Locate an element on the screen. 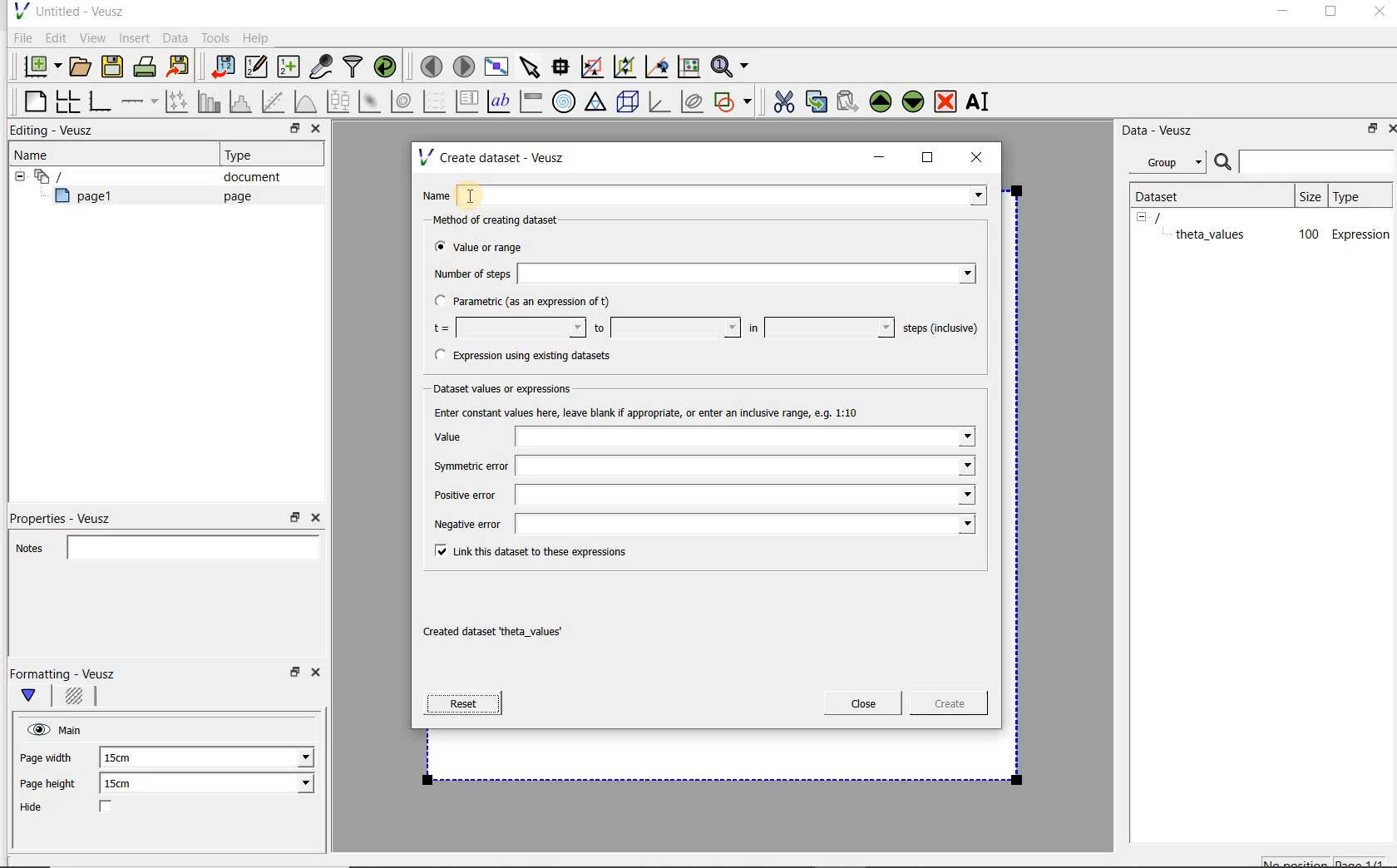 This screenshot has height=868, width=1397. View is located at coordinates (92, 36).